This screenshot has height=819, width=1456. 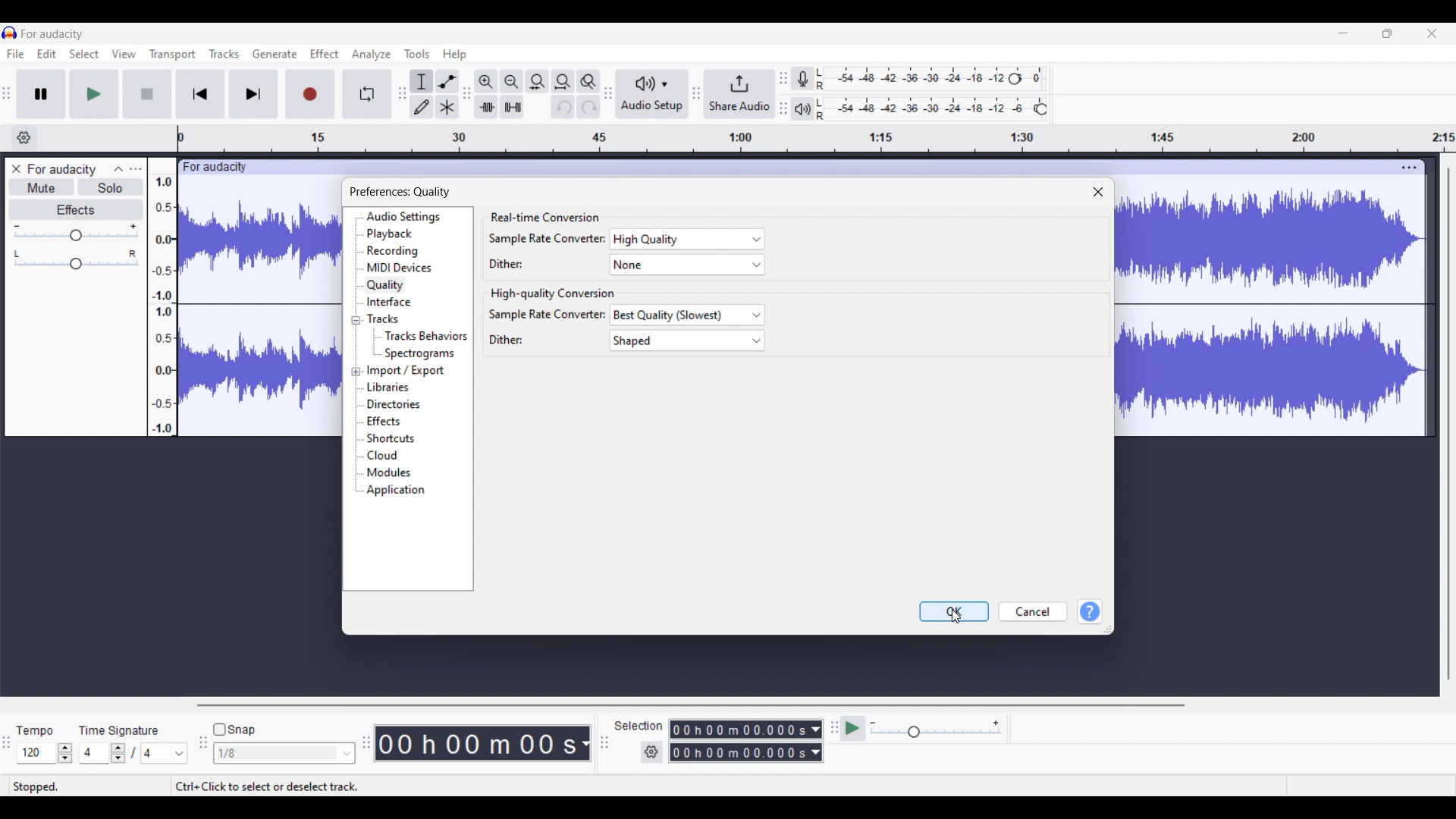 What do you see at coordinates (366, 94) in the screenshot?
I see `Enable looping` at bounding box center [366, 94].